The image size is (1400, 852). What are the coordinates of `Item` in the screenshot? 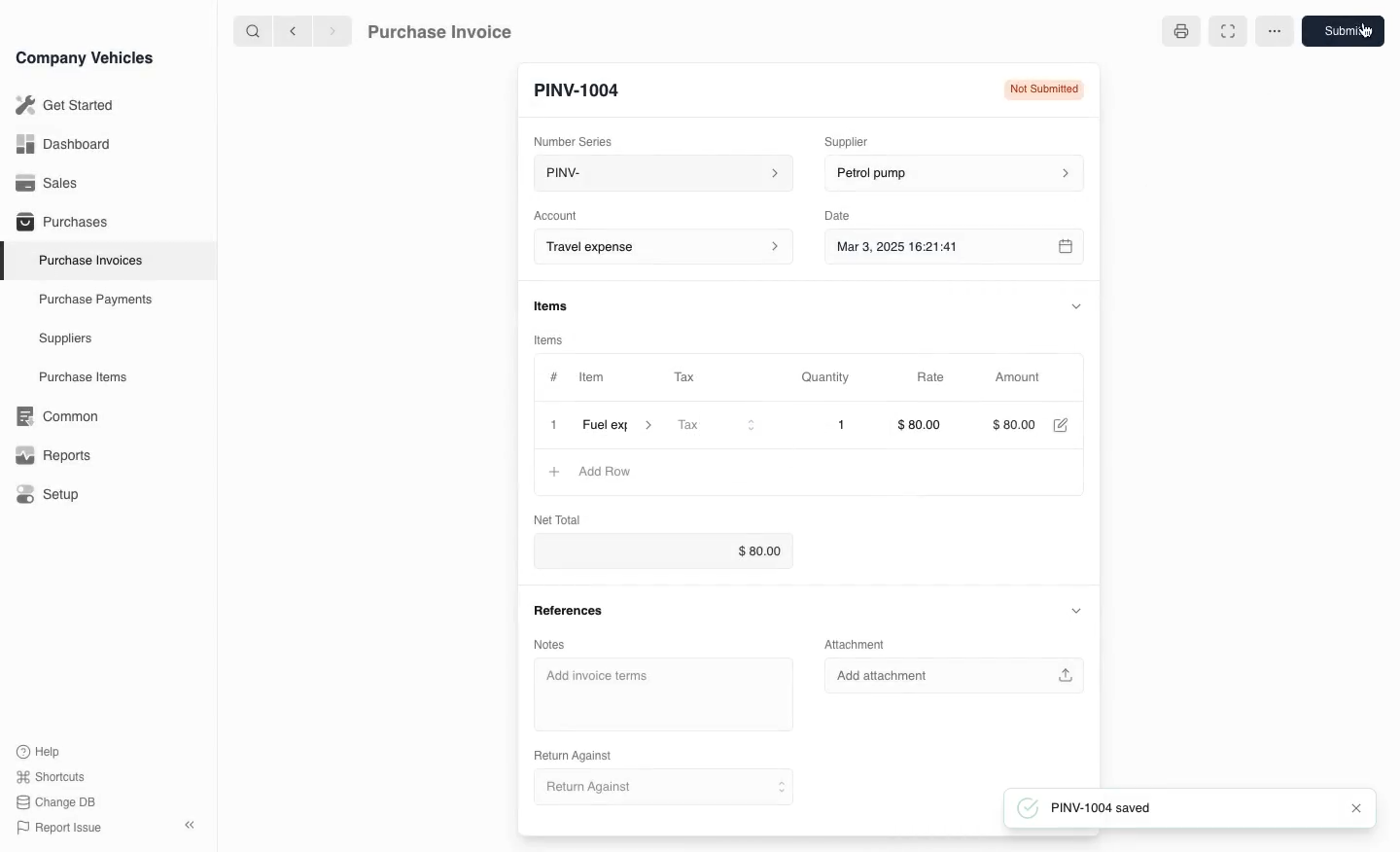 It's located at (590, 379).